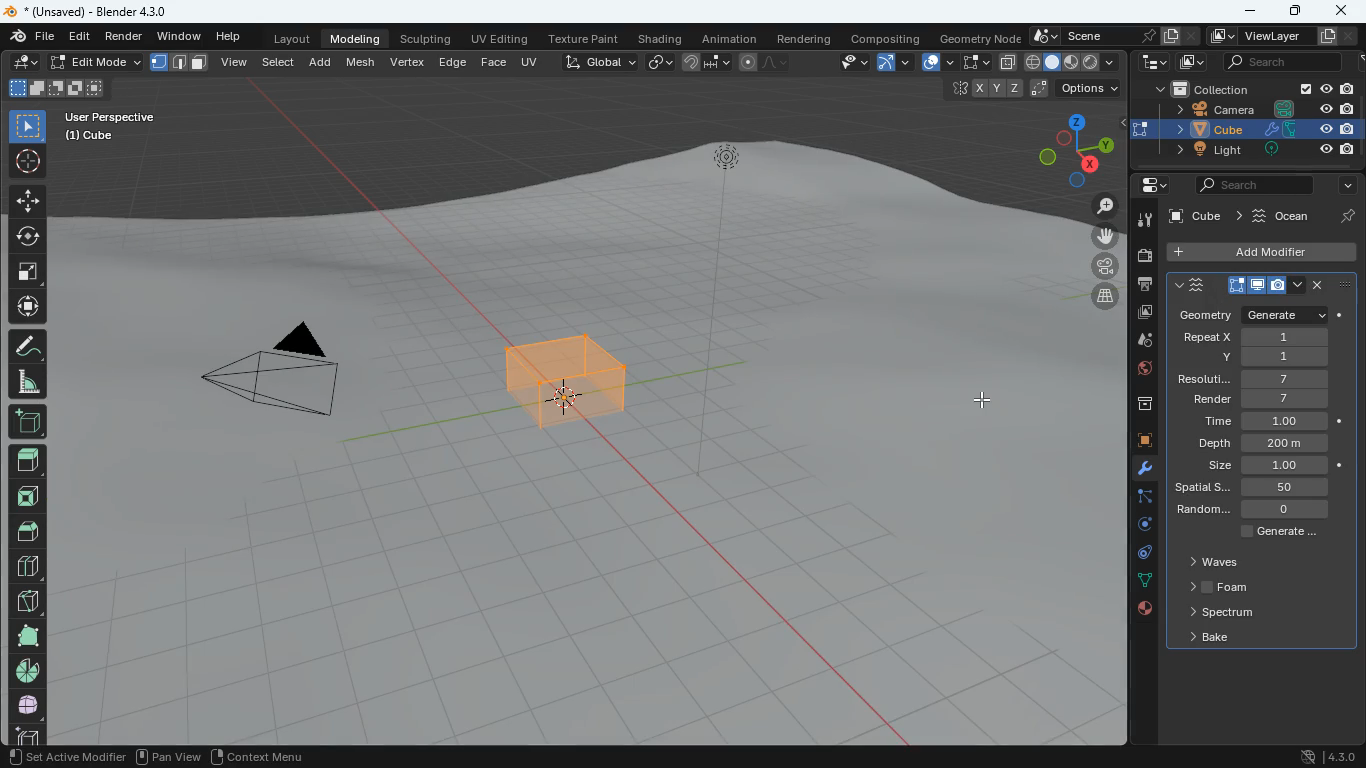 The height and width of the screenshot is (768, 1366). What do you see at coordinates (236, 64) in the screenshot?
I see `view` at bounding box center [236, 64].